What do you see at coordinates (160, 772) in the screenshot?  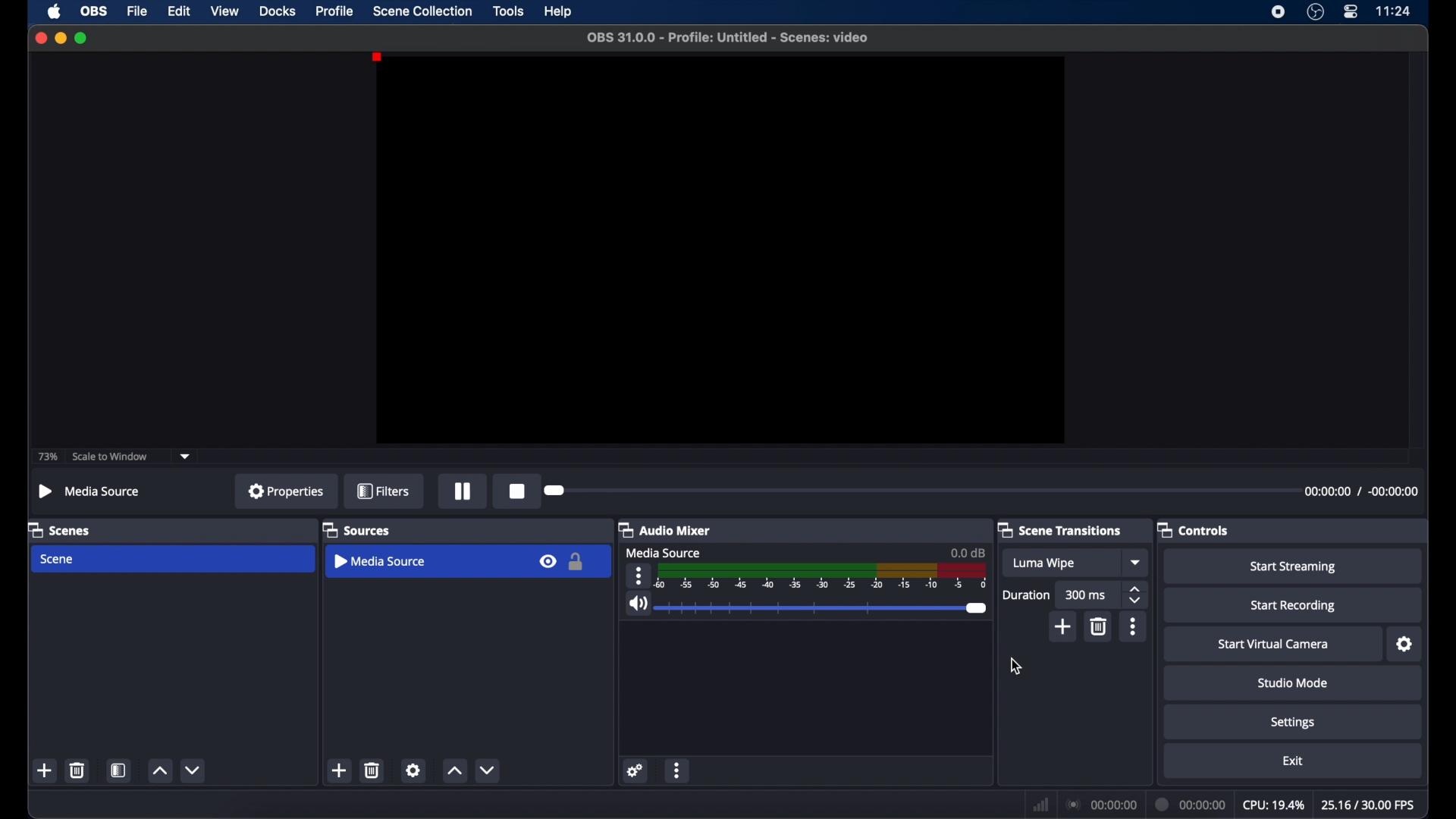 I see `increment` at bounding box center [160, 772].